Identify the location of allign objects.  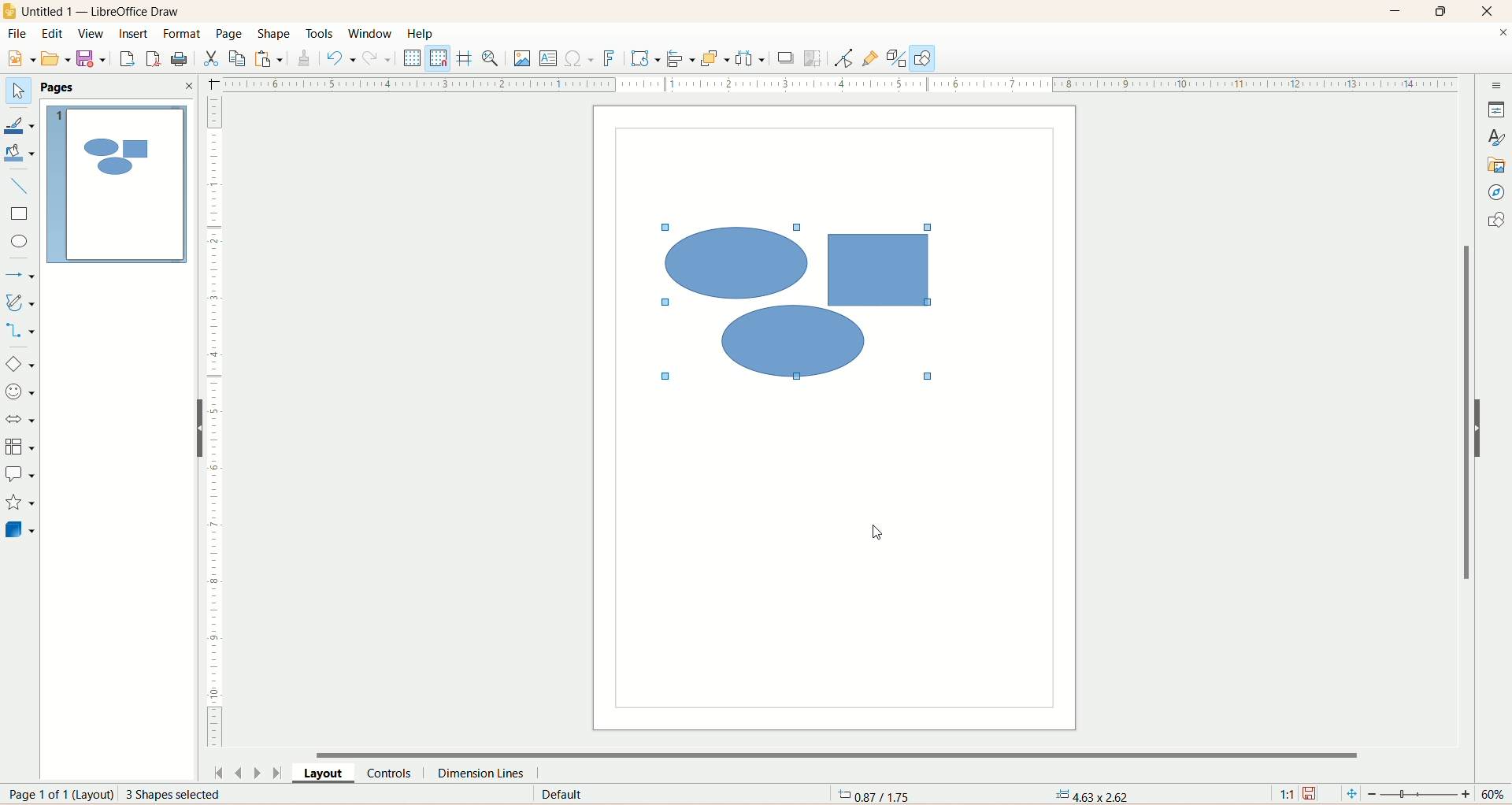
(680, 57).